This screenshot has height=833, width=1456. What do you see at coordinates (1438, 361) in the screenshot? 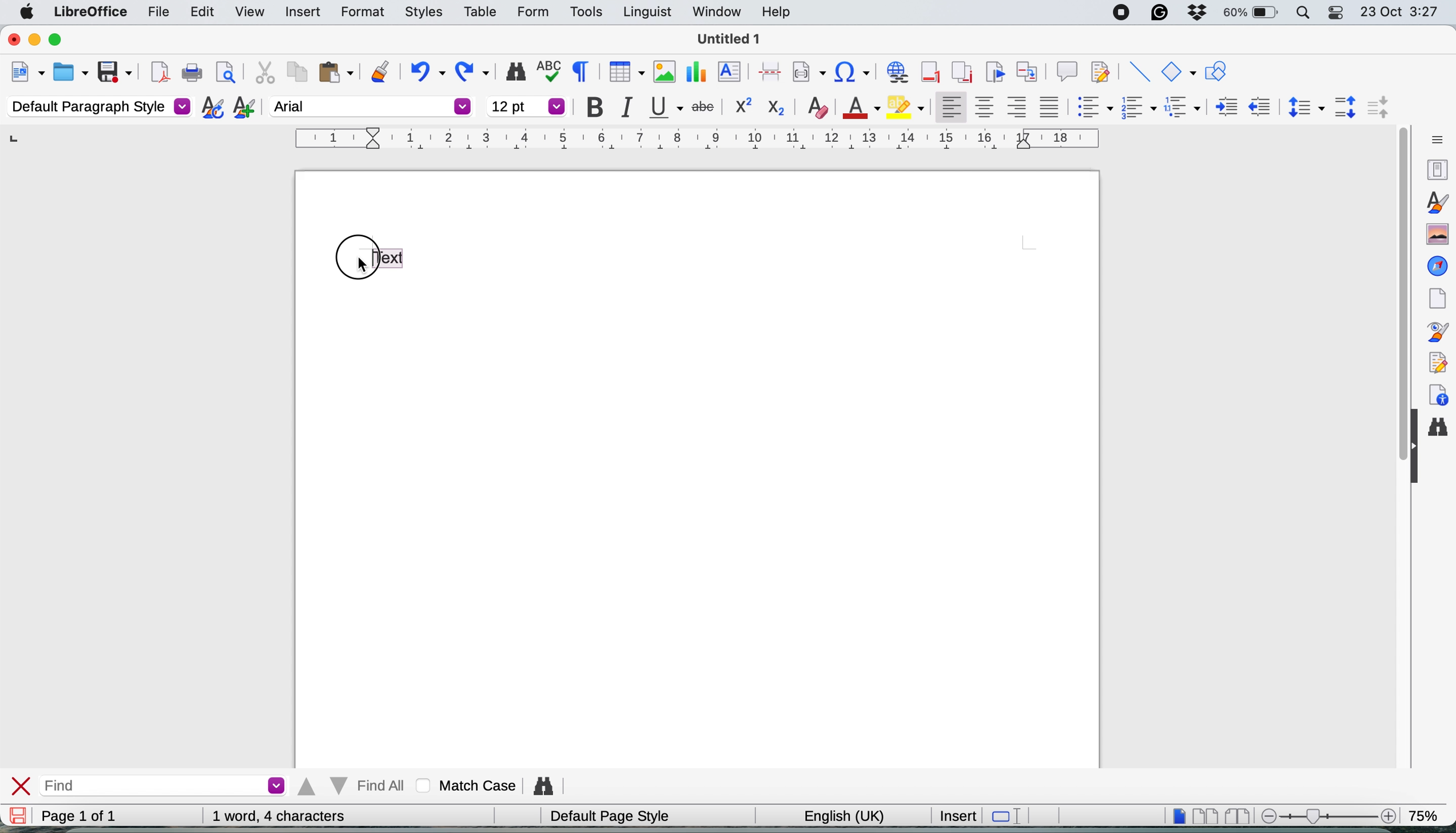
I see `manage changes` at bounding box center [1438, 361].